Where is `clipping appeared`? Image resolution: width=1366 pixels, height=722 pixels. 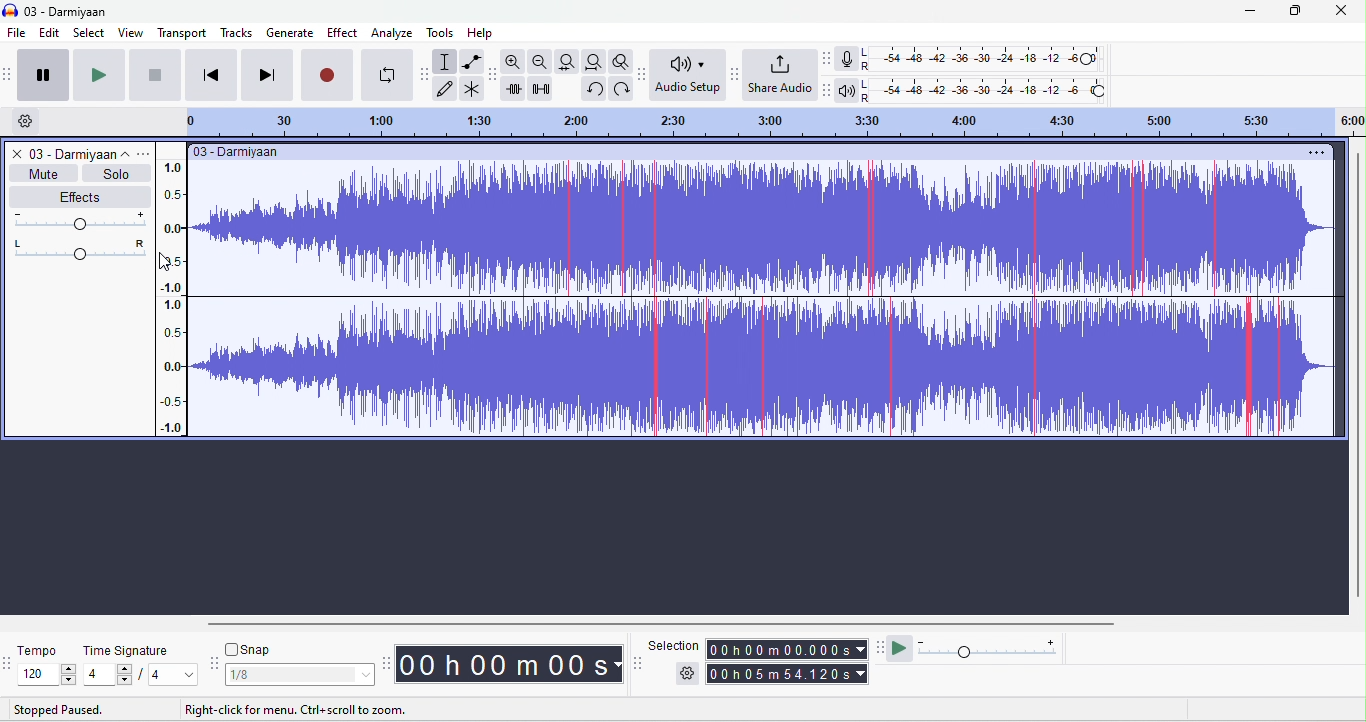 clipping appeared is located at coordinates (765, 299).